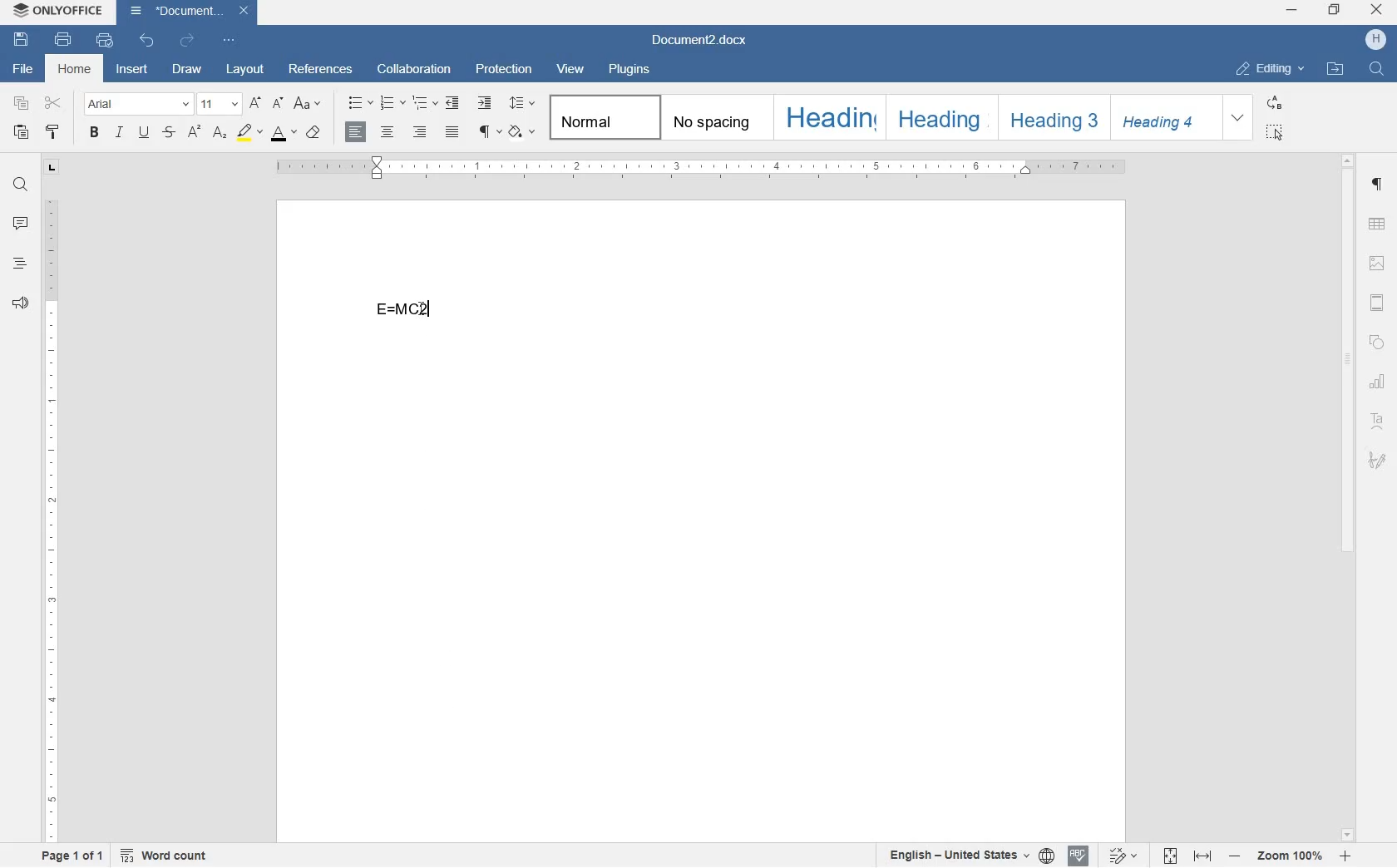 Image resolution: width=1397 pixels, height=868 pixels. What do you see at coordinates (633, 70) in the screenshot?
I see `plugins` at bounding box center [633, 70].